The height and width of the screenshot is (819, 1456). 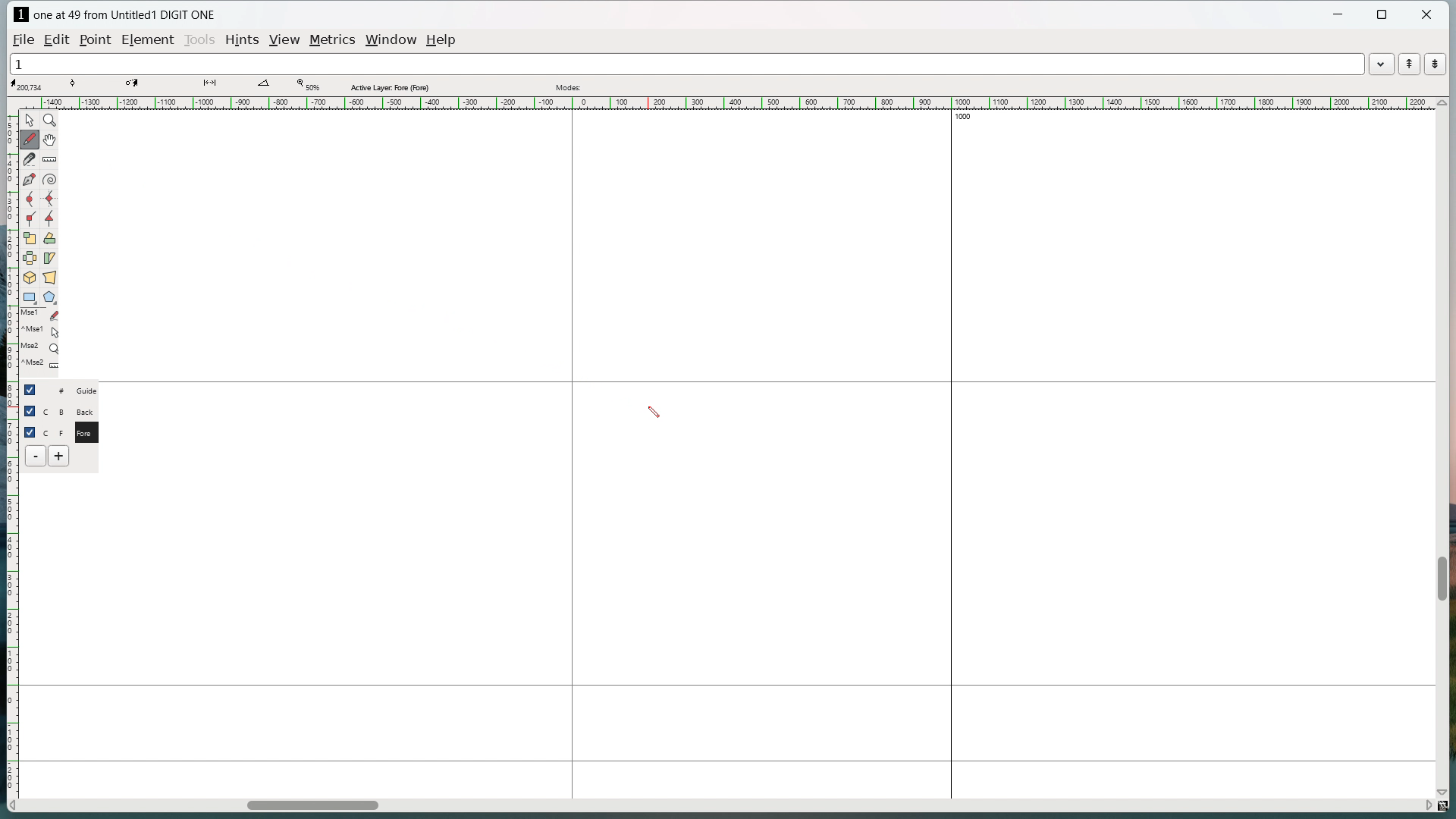 I want to click on rotate, so click(x=49, y=238).